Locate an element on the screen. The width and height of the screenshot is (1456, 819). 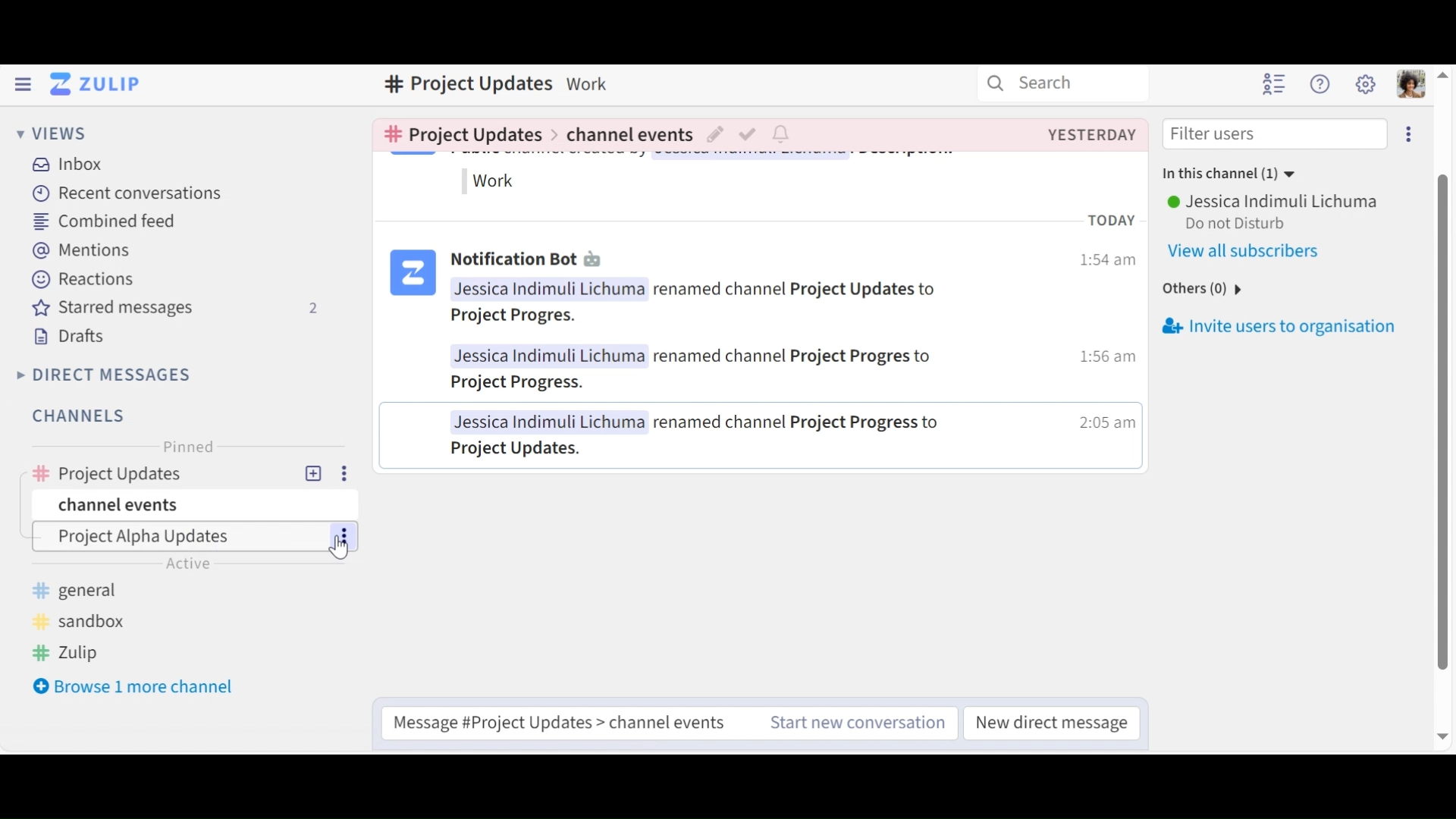
Channel Topic is located at coordinates (185, 536).